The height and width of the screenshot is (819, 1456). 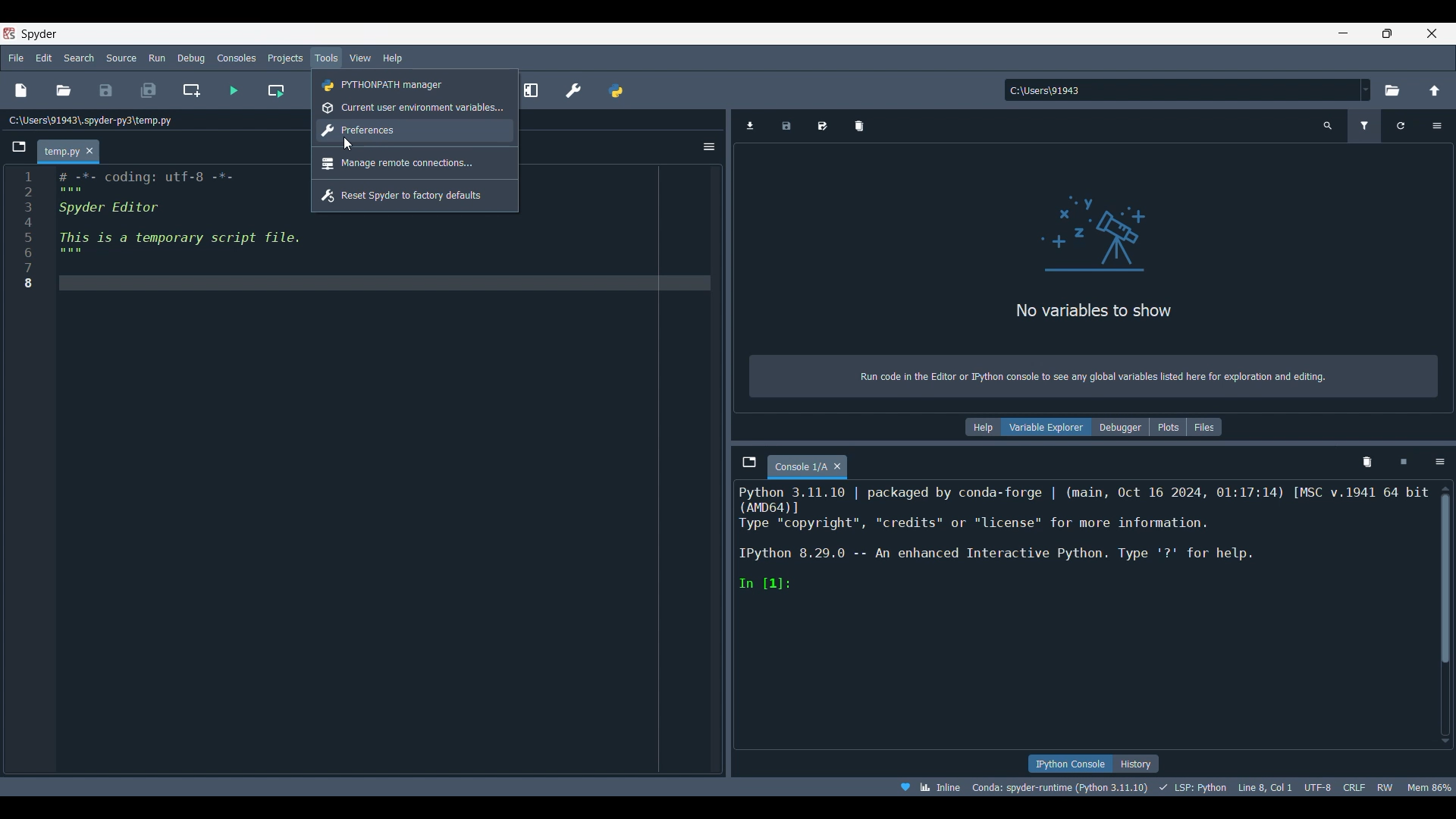 What do you see at coordinates (1094, 249) in the screenshot?
I see `variable explorer pane` at bounding box center [1094, 249].